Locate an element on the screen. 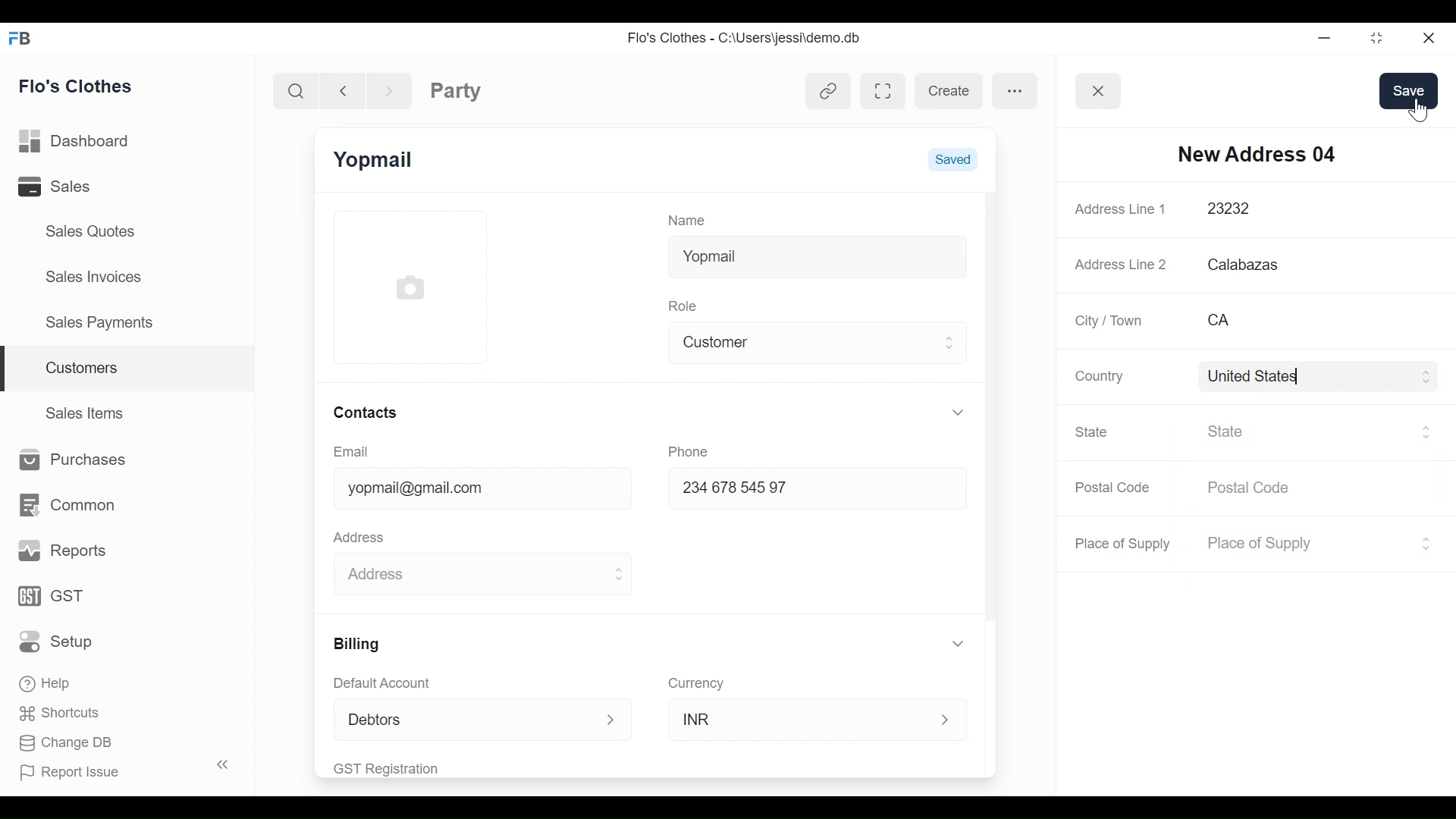  Place of Supply is located at coordinates (1304, 544).